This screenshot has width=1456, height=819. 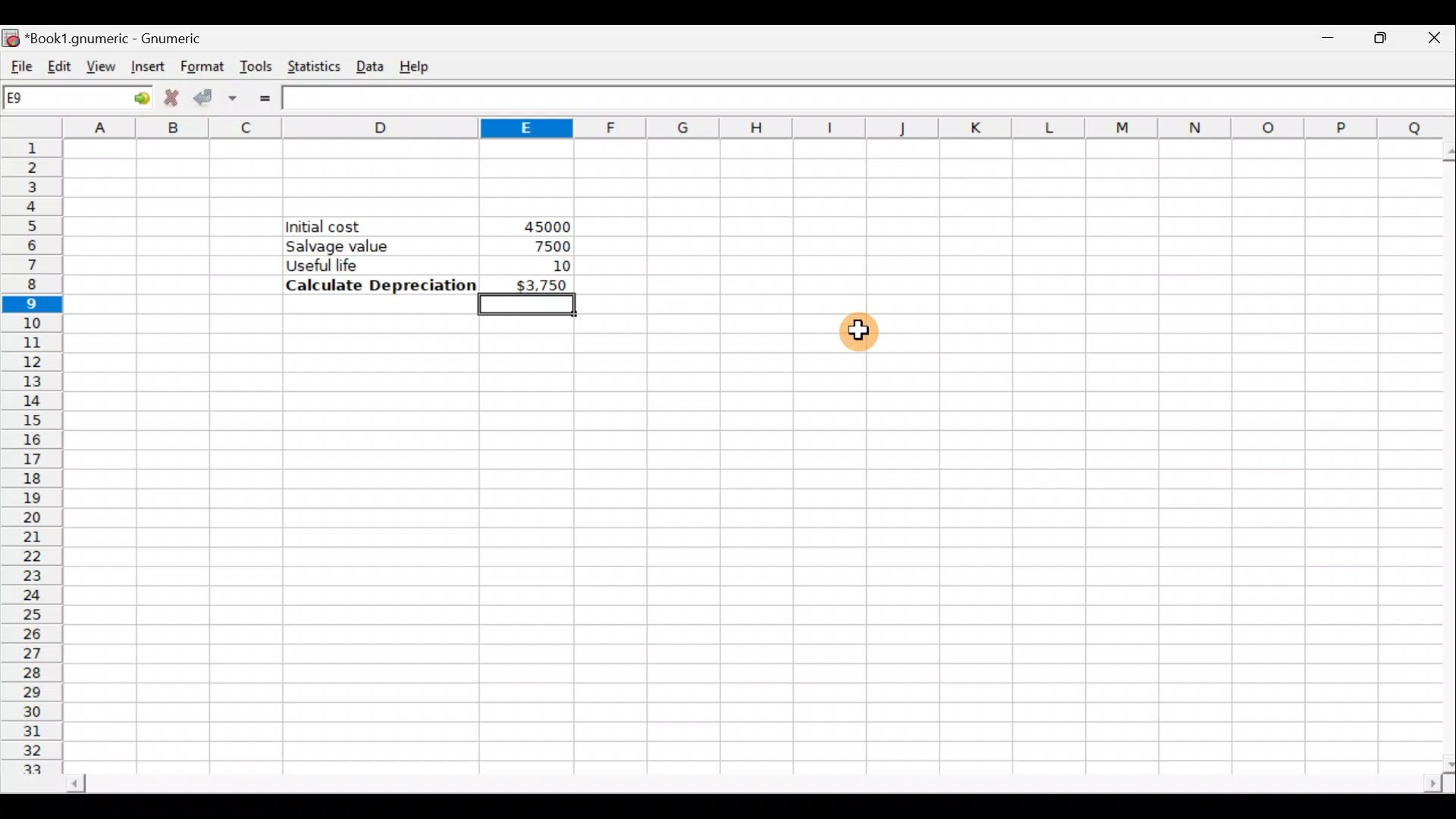 What do you see at coordinates (19, 61) in the screenshot?
I see `File` at bounding box center [19, 61].